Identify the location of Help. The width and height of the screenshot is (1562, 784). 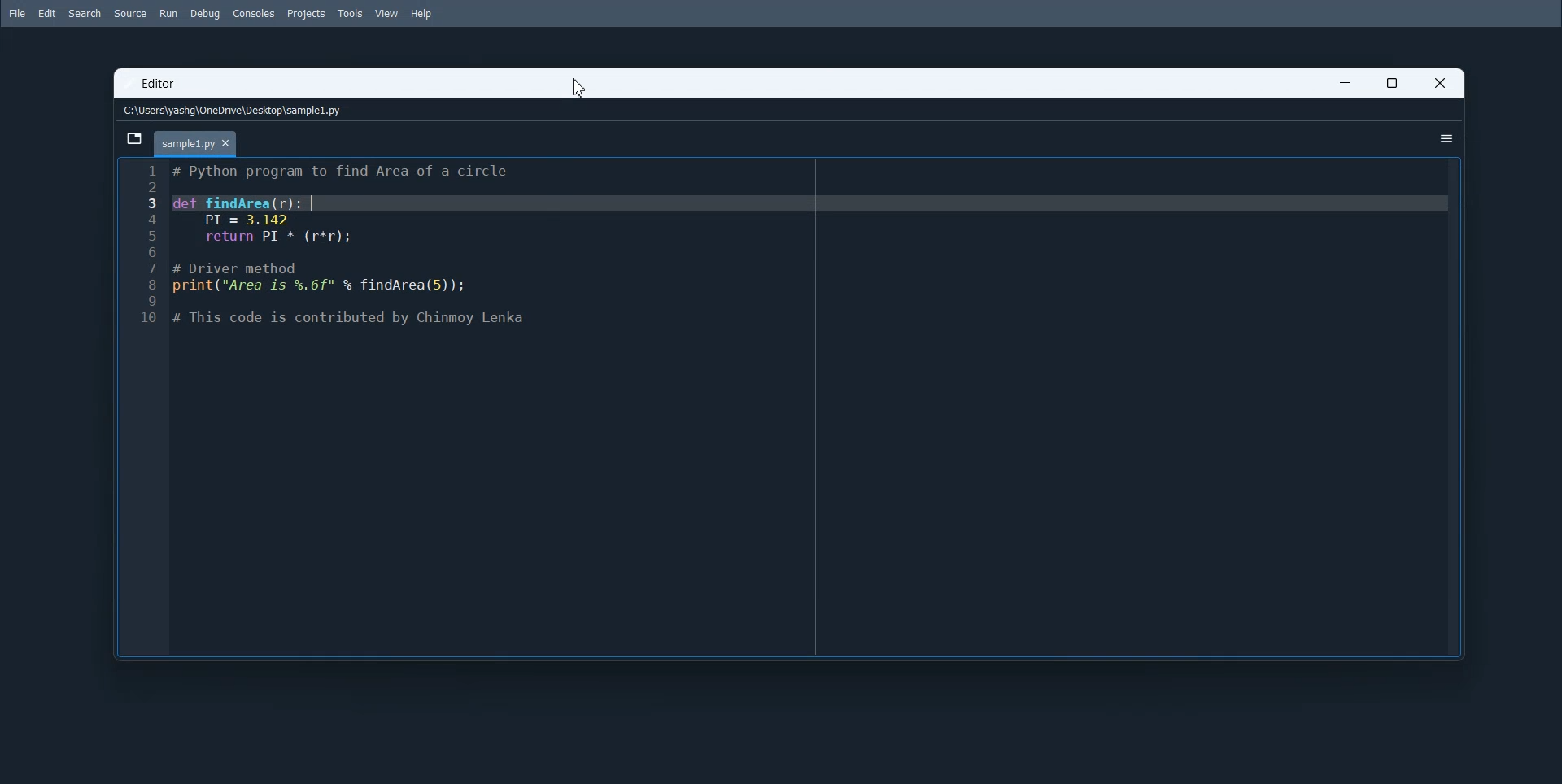
(422, 15).